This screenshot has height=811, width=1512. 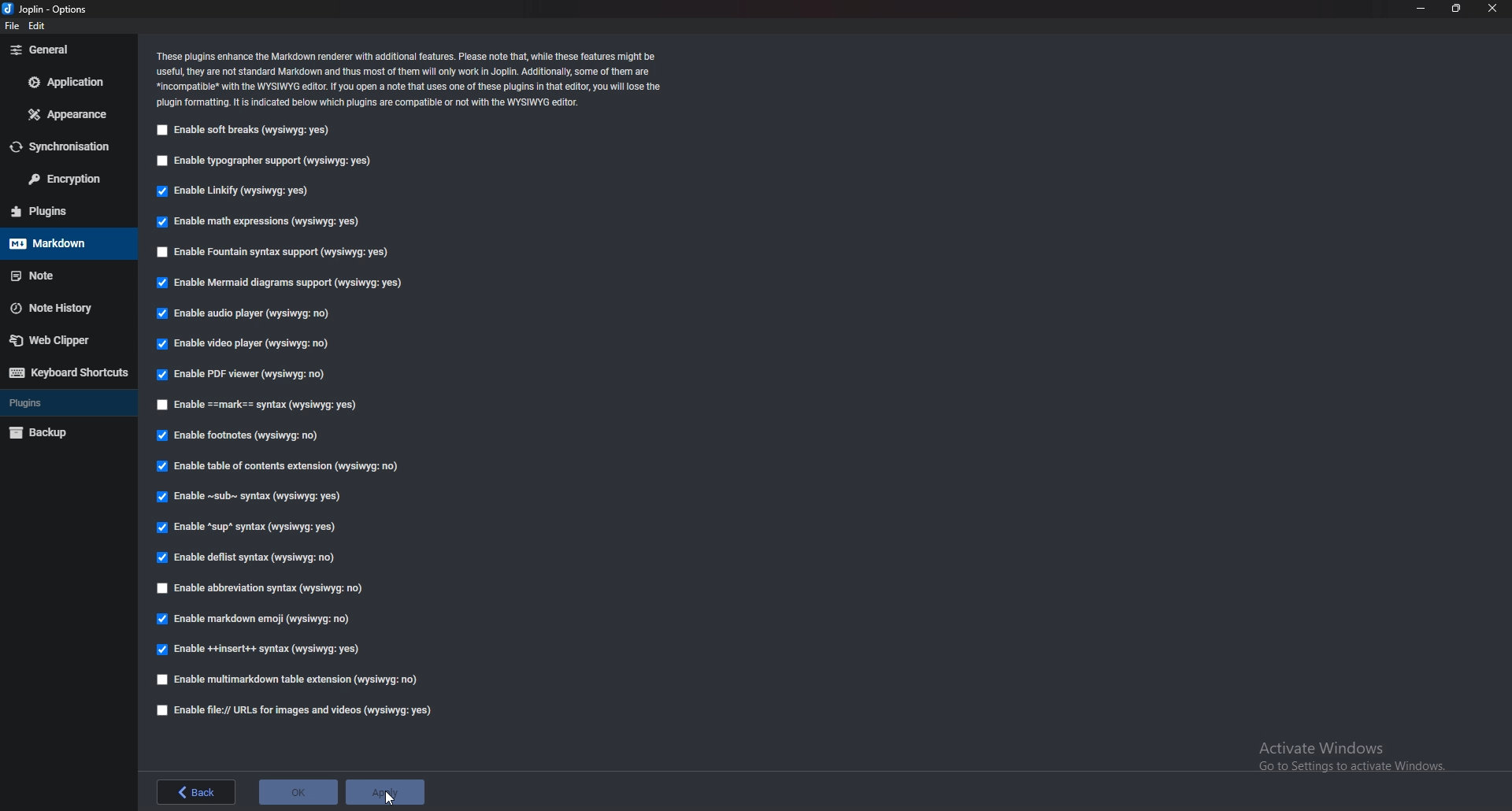 I want to click on Enable math expressions, so click(x=259, y=223).